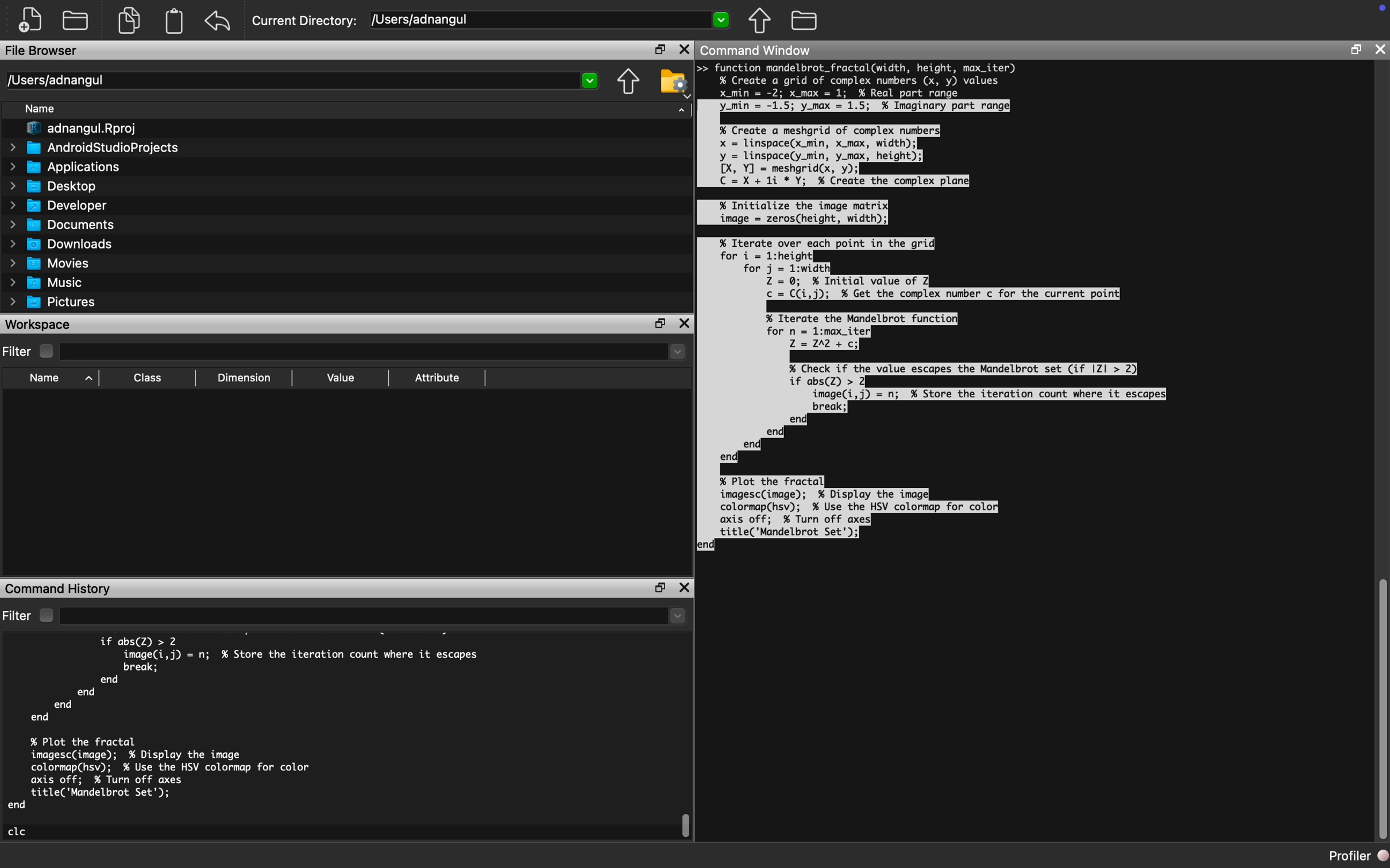  I want to click on Scroll, so click(687, 826).